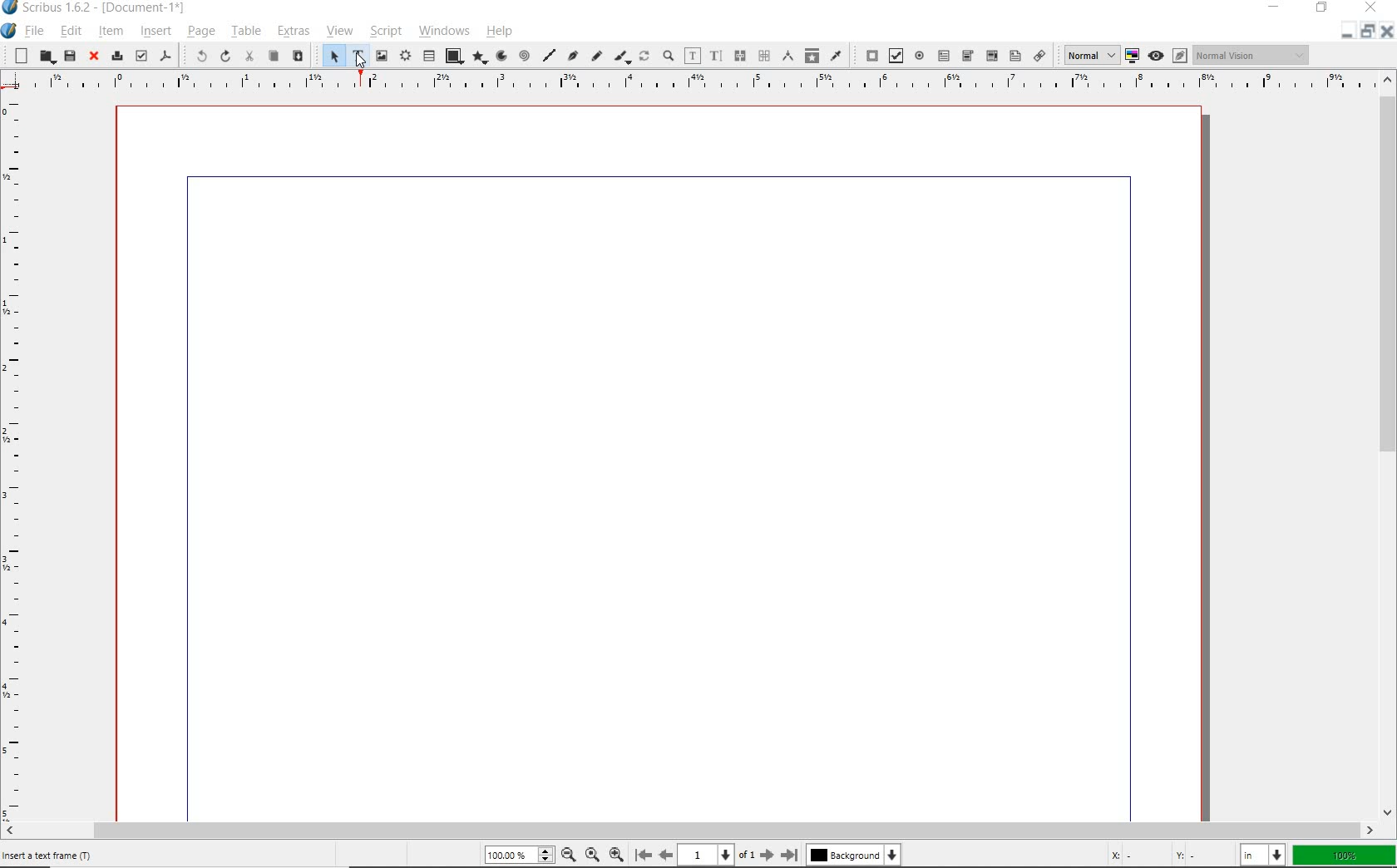  What do you see at coordinates (332, 56) in the screenshot?
I see `select item` at bounding box center [332, 56].